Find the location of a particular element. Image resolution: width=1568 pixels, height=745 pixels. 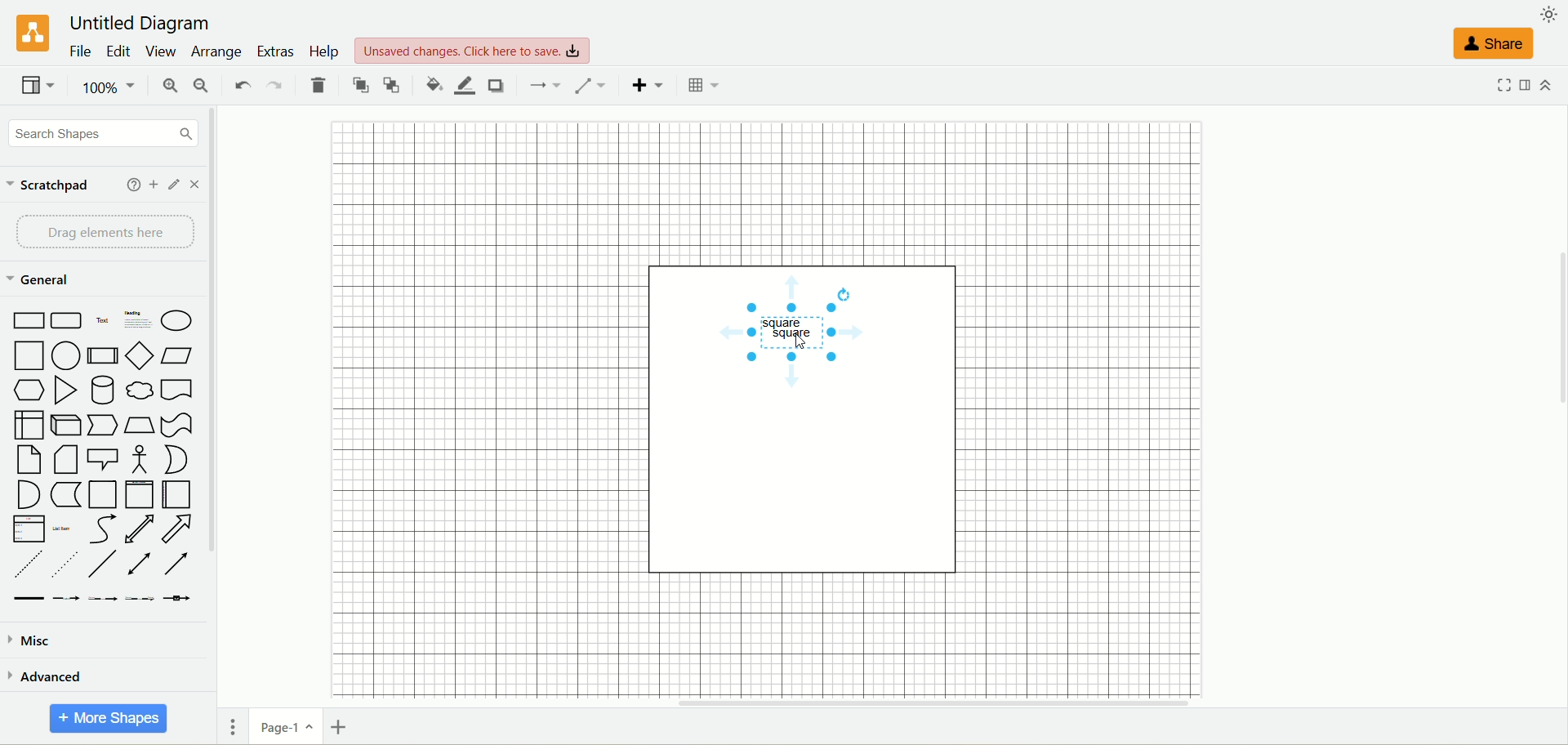

fill color is located at coordinates (433, 85).